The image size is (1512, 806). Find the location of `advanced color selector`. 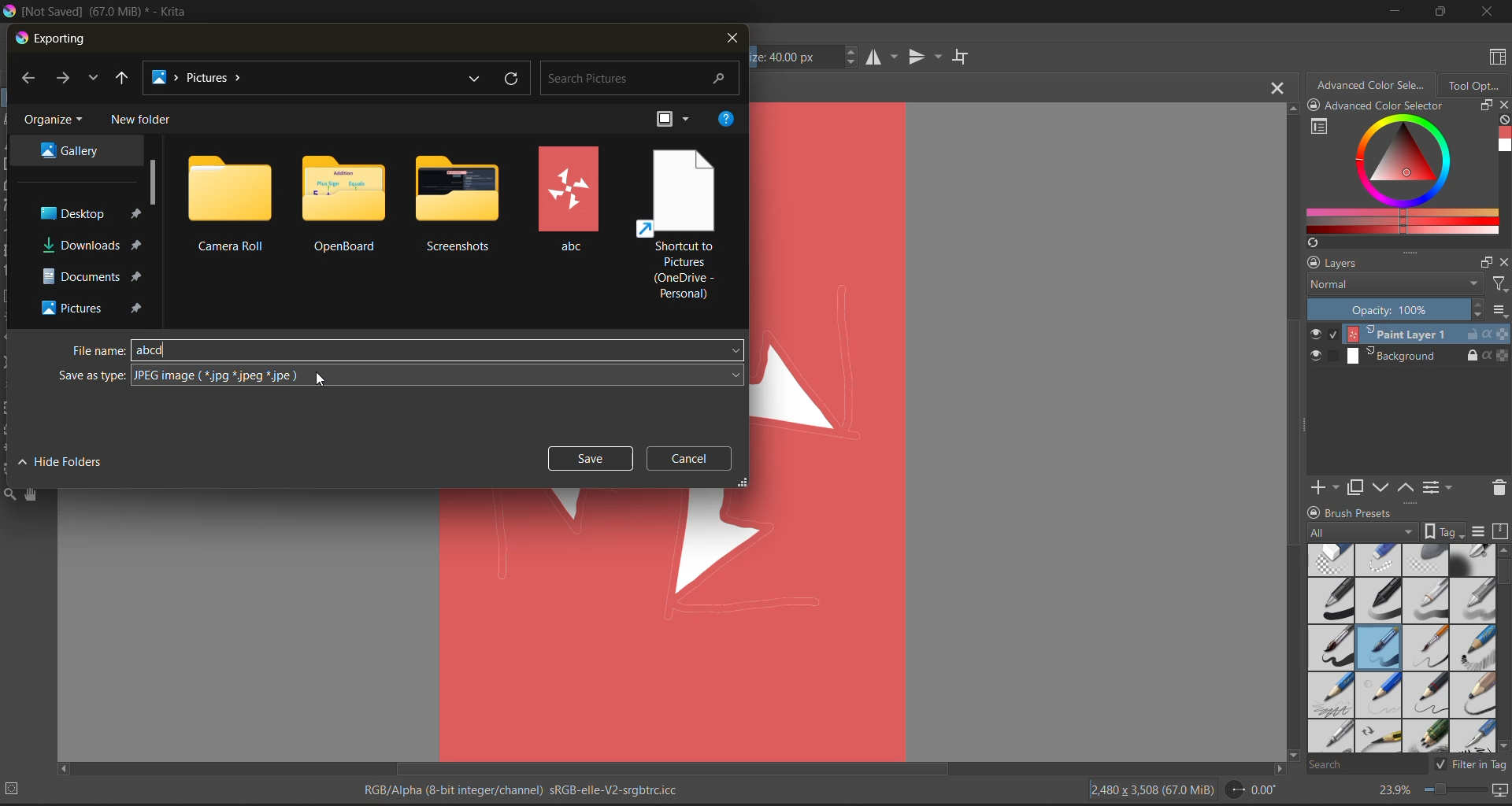

advanced color selector is located at coordinates (1402, 176).